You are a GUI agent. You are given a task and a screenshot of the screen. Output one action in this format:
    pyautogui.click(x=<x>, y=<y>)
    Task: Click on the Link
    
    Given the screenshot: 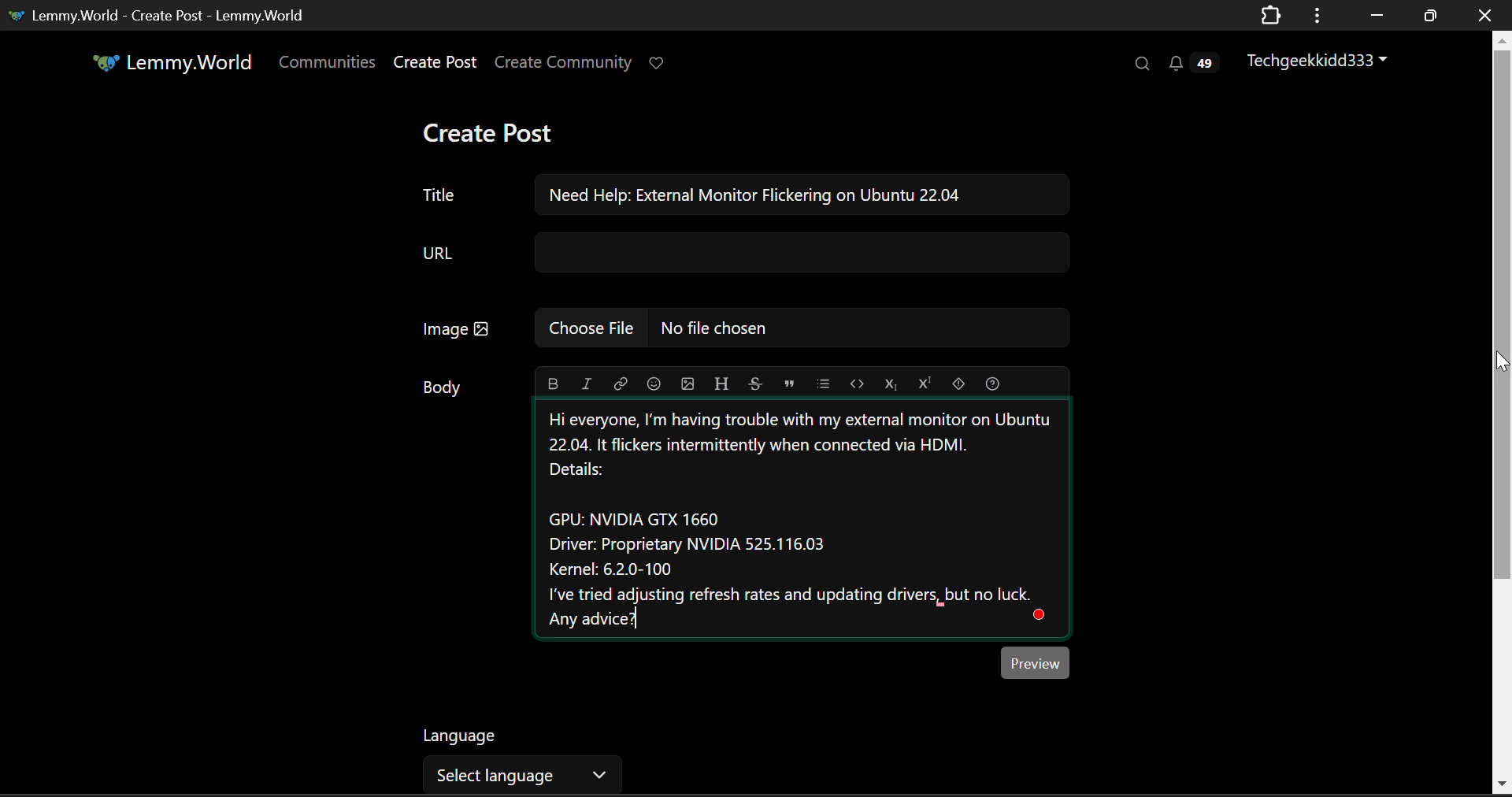 What is the action you would take?
    pyautogui.click(x=618, y=385)
    